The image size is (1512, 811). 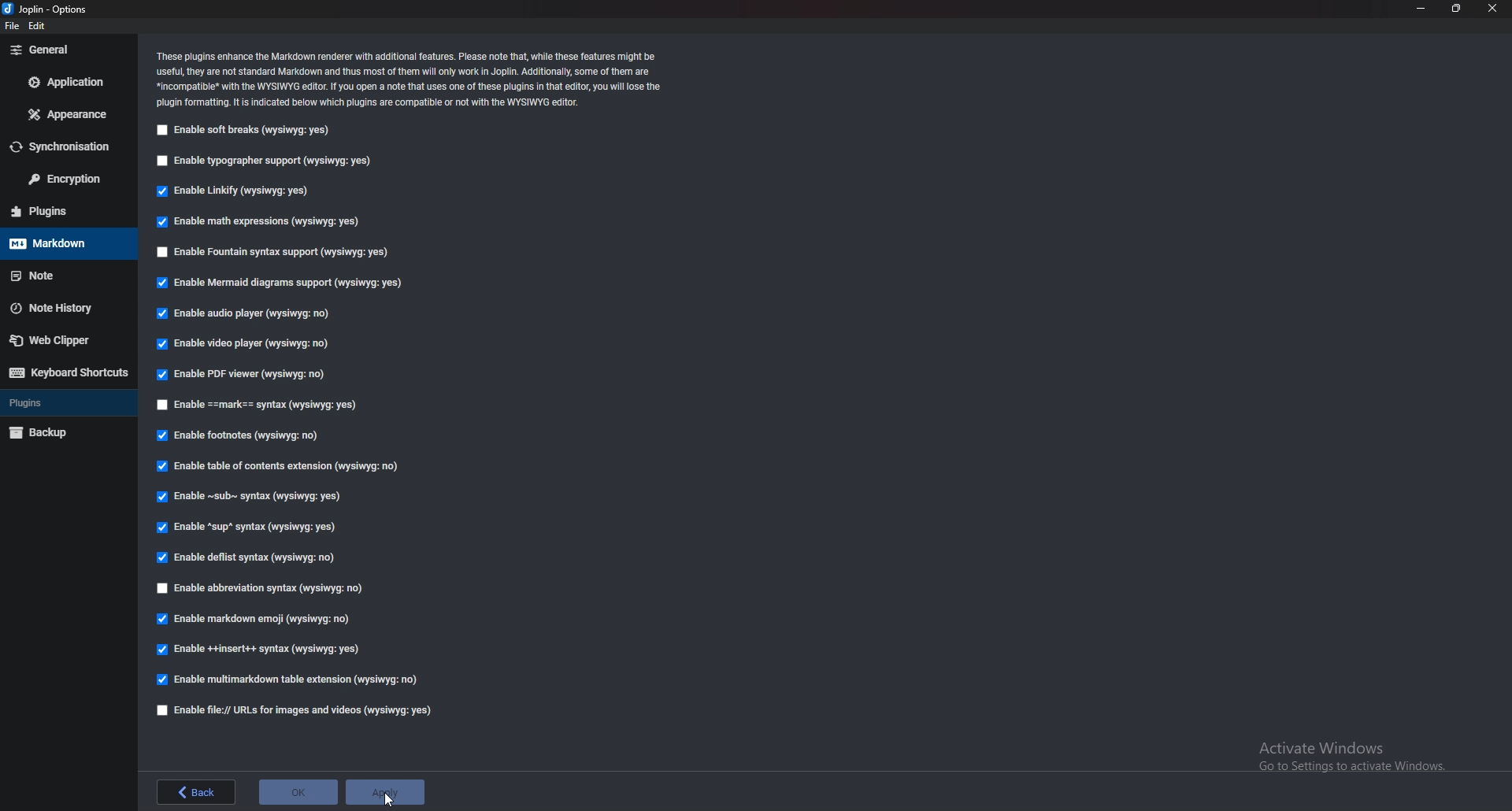 What do you see at coordinates (411, 78) in the screenshot?
I see `Info` at bounding box center [411, 78].